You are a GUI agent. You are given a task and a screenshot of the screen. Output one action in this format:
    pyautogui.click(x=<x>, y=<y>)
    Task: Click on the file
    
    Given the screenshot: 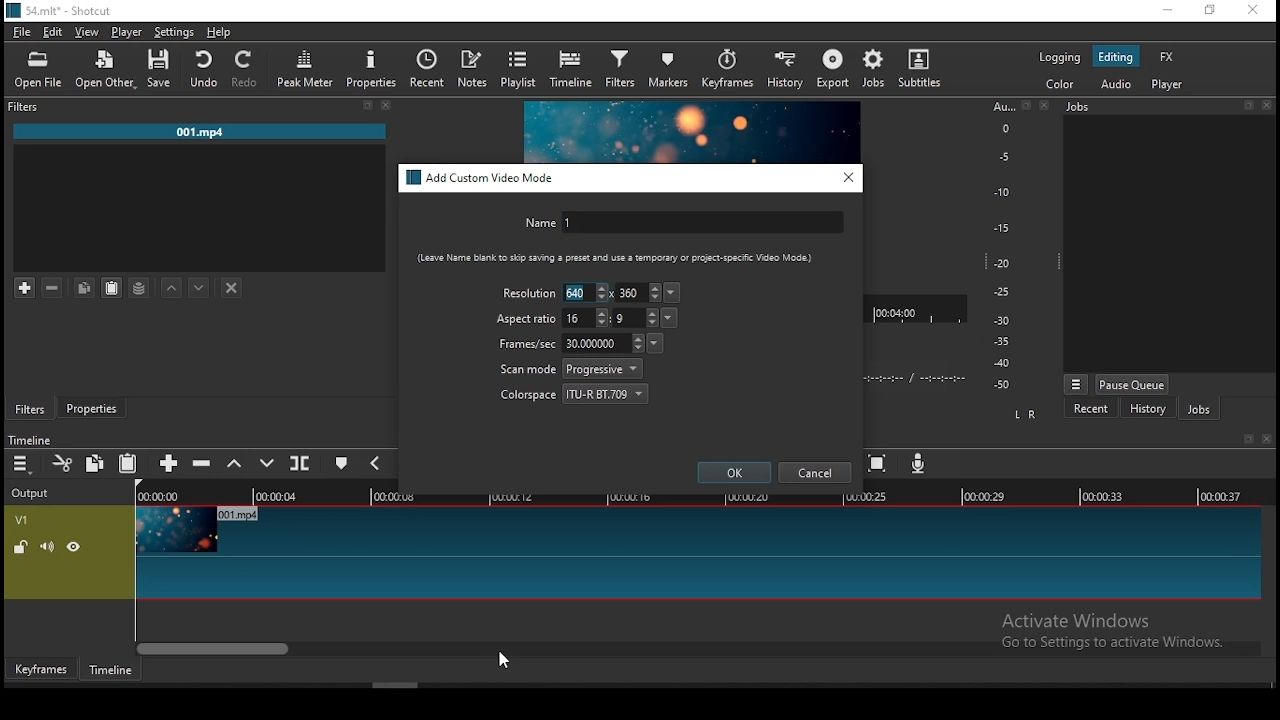 What is the action you would take?
    pyautogui.click(x=22, y=34)
    